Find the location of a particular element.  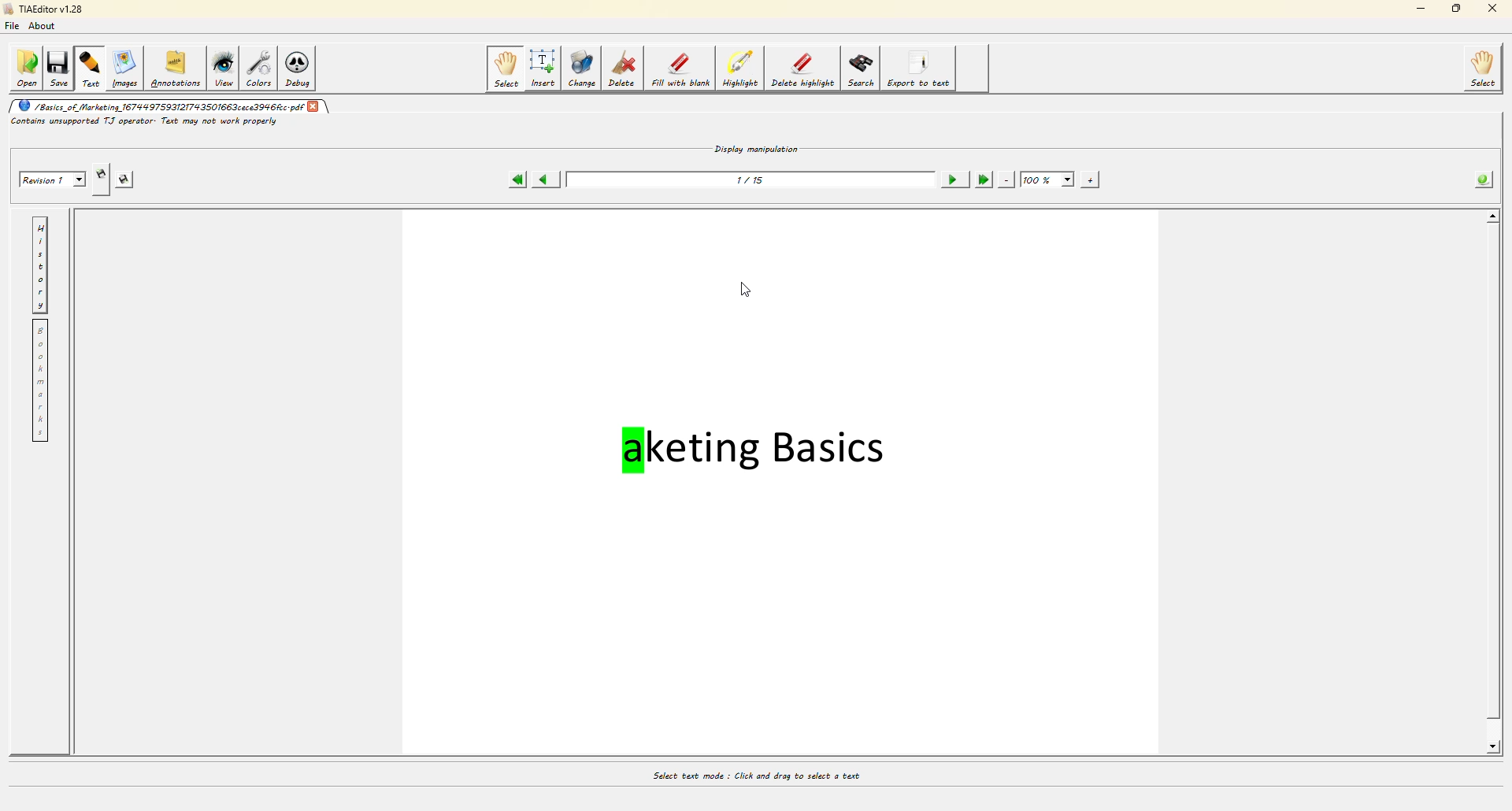

text is located at coordinates (91, 69).